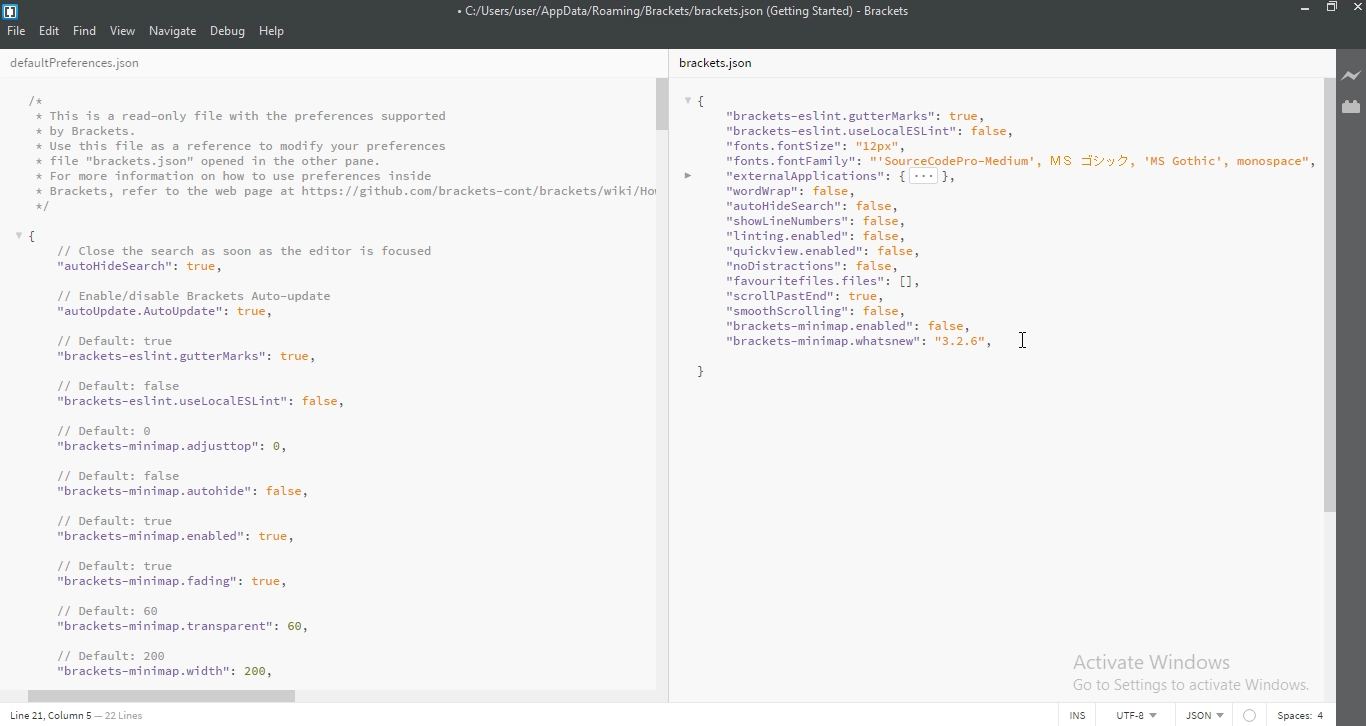  What do you see at coordinates (1301, 11) in the screenshot?
I see `minimise` at bounding box center [1301, 11].